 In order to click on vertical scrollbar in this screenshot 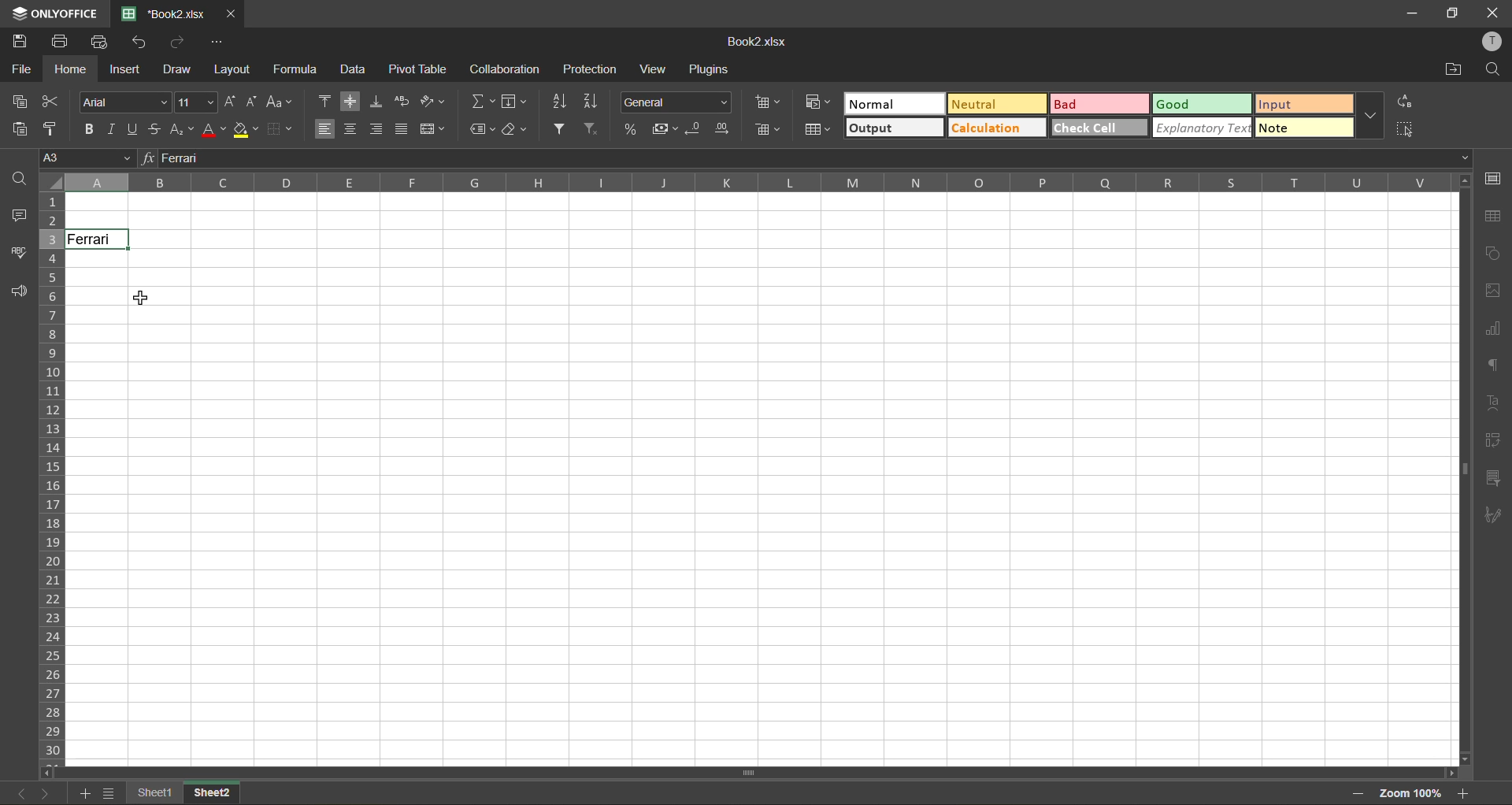, I will do `click(1462, 469)`.